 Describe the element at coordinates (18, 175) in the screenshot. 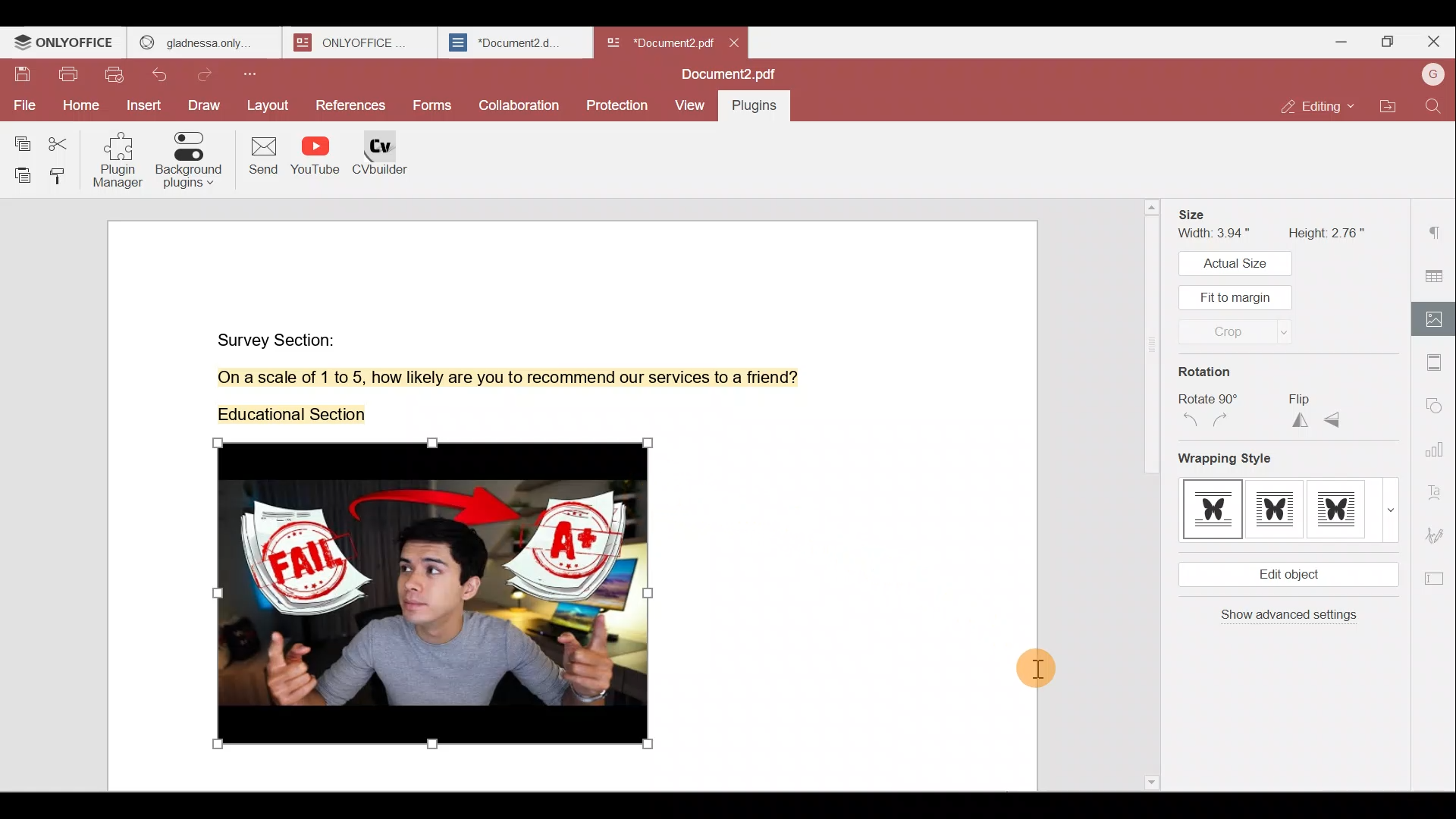

I see `Paste` at that location.